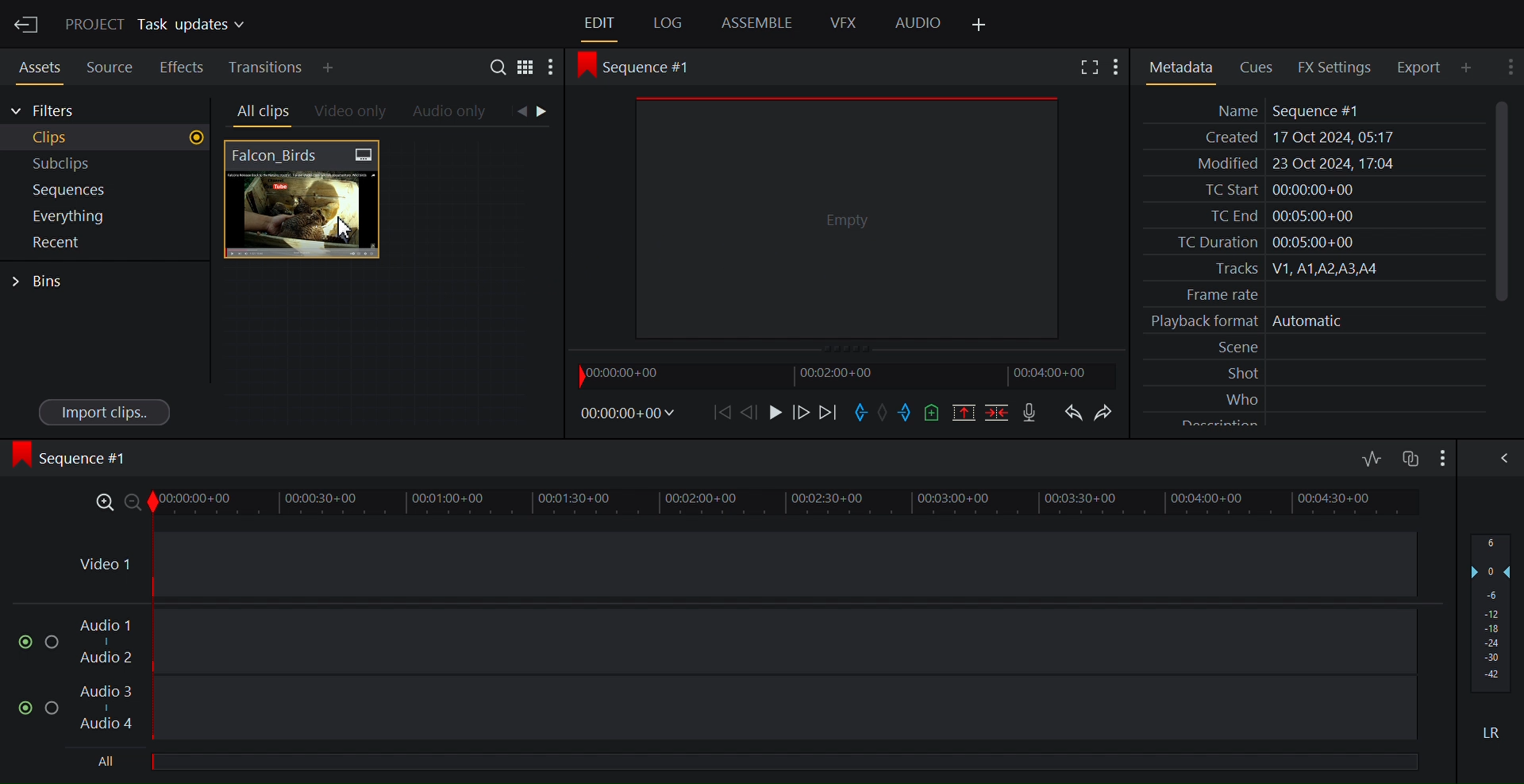 The width and height of the screenshot is (1524, 784). What do you see at coordinates (1310, 165) in the screenshot?
I see `Modified` at bounding box center [1310, 165].